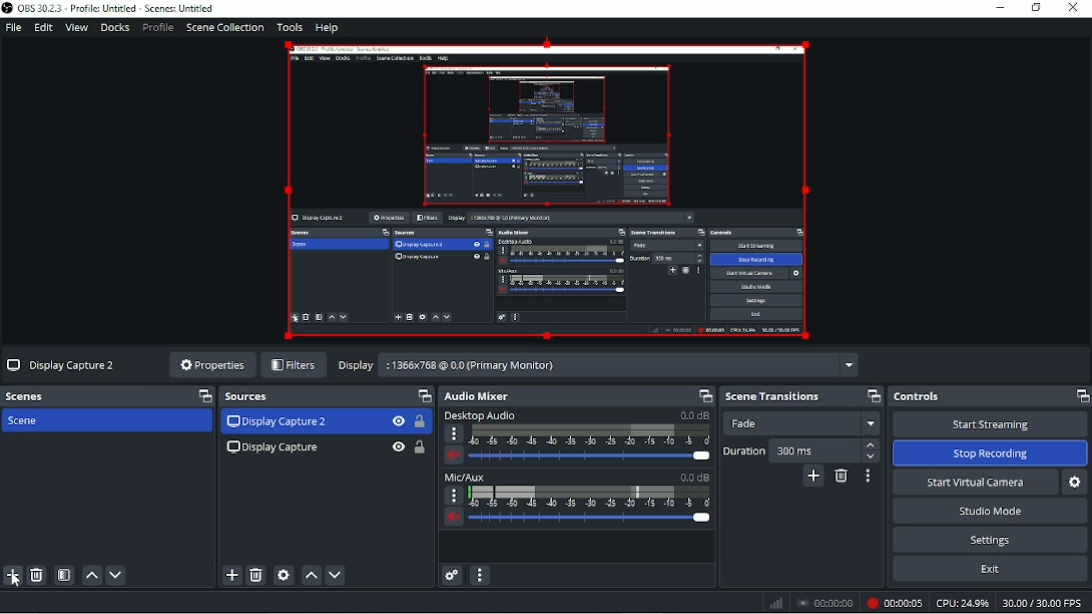 The image size is (1092, 614). What do you see at coordinates (894, 603) in the screenshot?
I see `Recording 00:00:05` at bounding box center [894, 603].